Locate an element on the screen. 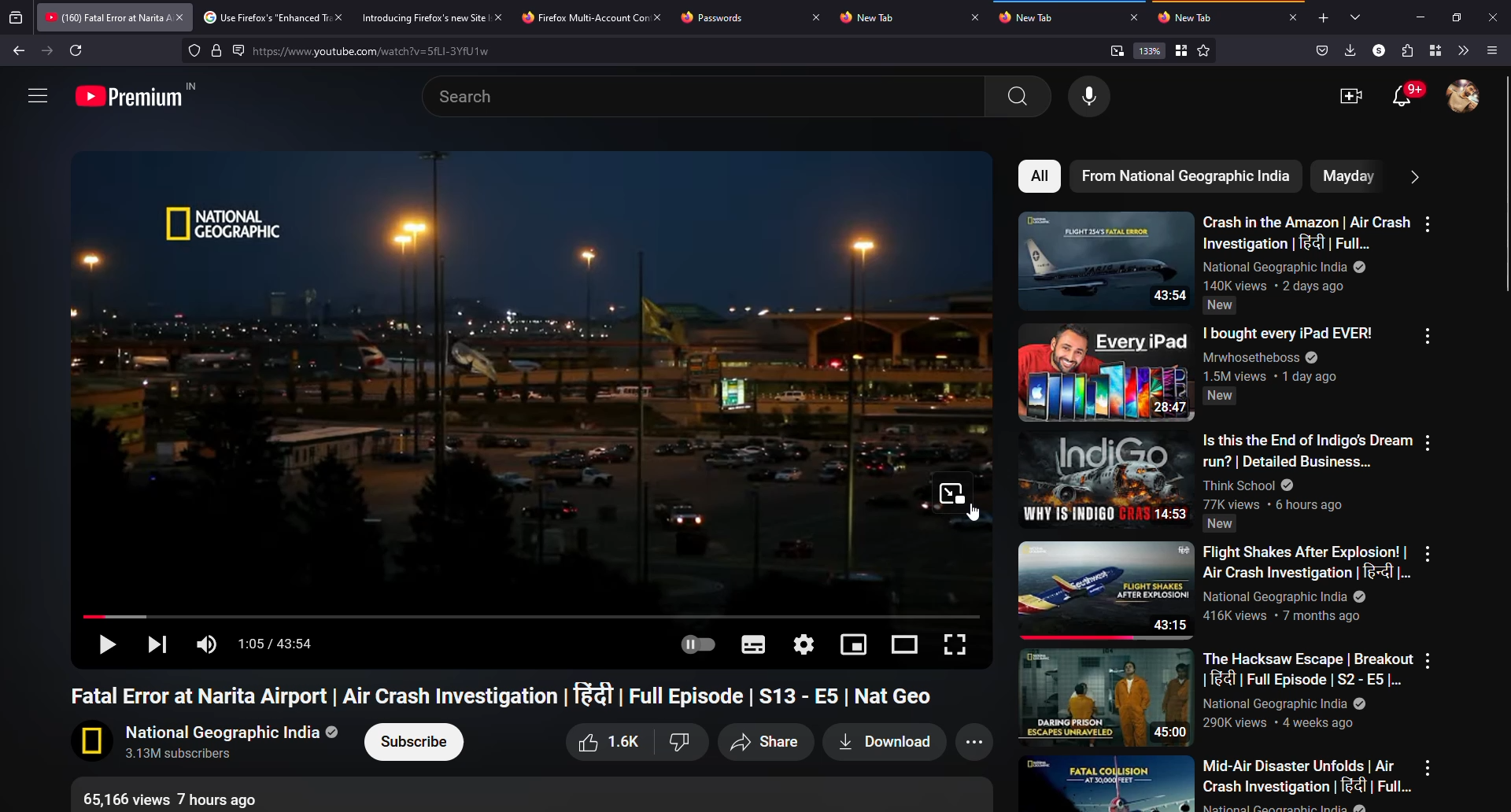 The image size is (1511, 812). Indicates content is new is located at coordinates (1221, 305).